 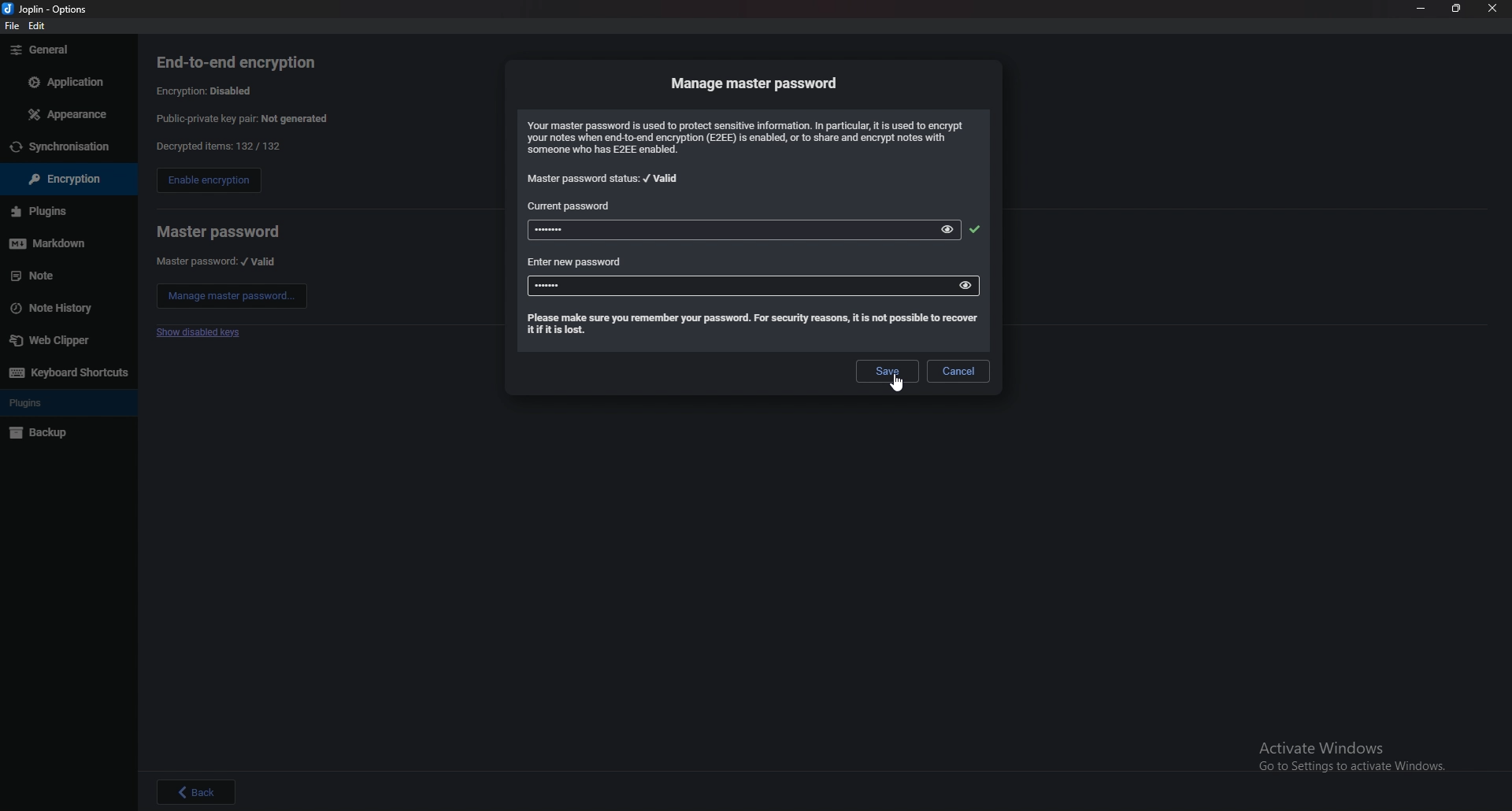 I want to click on enable encryption, so click(x=208, y=182).